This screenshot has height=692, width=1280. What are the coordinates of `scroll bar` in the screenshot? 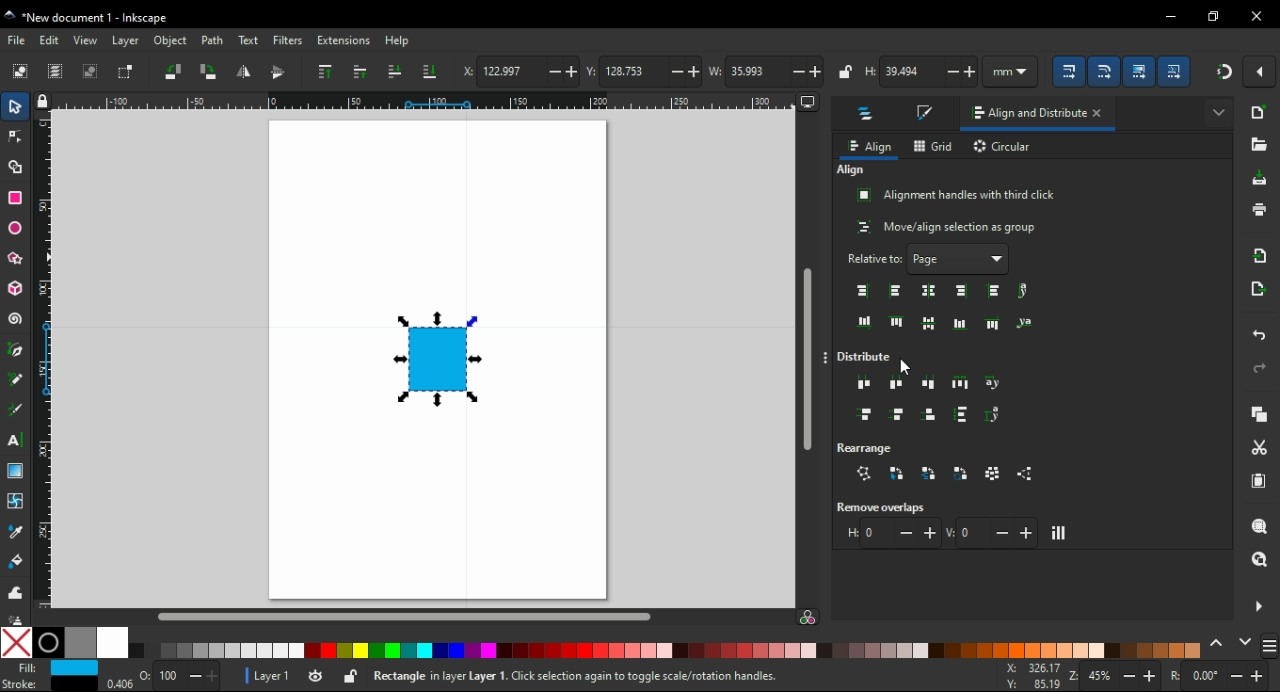 It's located at (807, 350).